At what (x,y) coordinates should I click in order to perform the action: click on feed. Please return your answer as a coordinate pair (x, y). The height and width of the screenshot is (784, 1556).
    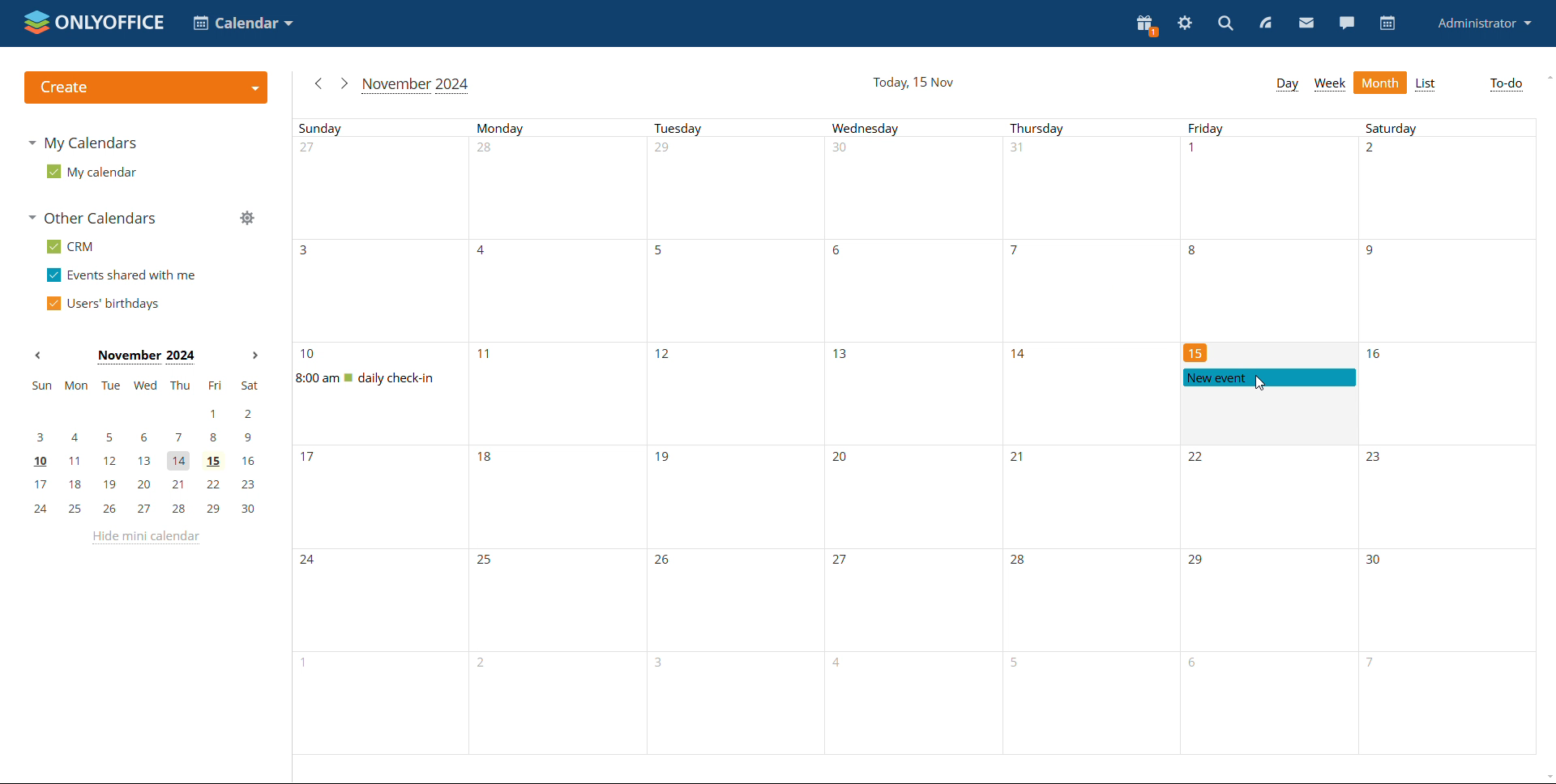
    Looking at the image, I should click on (1266, 23).